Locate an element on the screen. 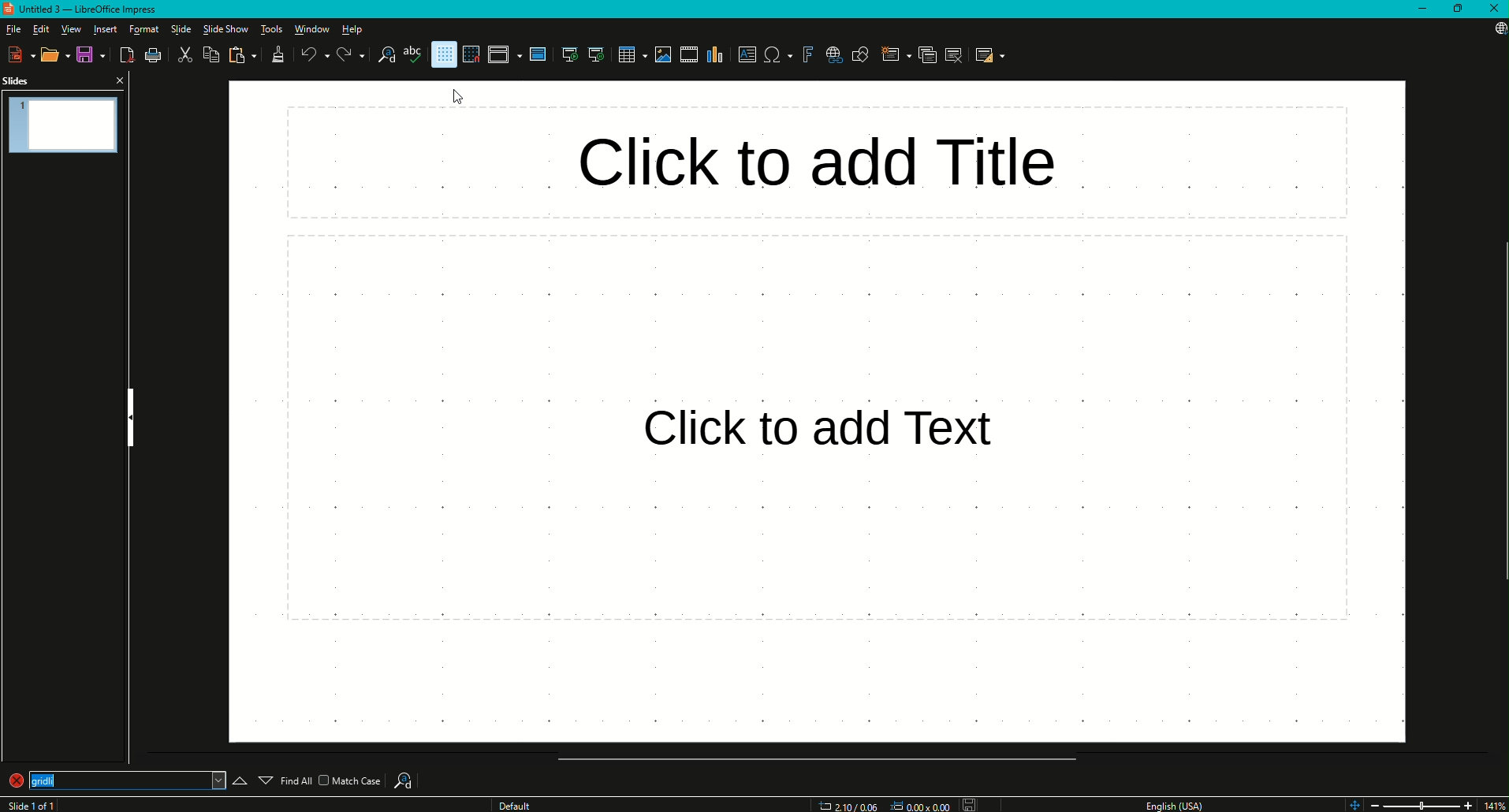  Window is located at coordinates (311, 29).